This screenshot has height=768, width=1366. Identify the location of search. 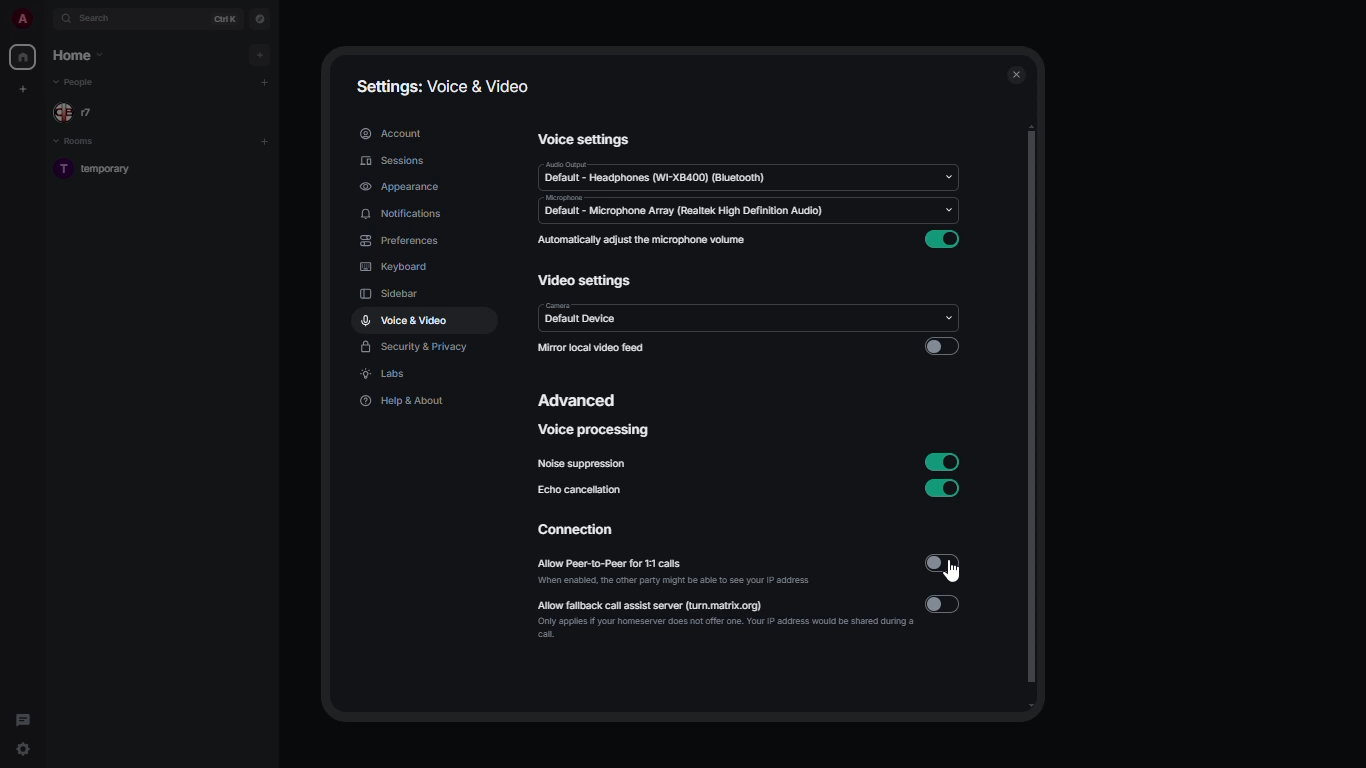
(100, 20).